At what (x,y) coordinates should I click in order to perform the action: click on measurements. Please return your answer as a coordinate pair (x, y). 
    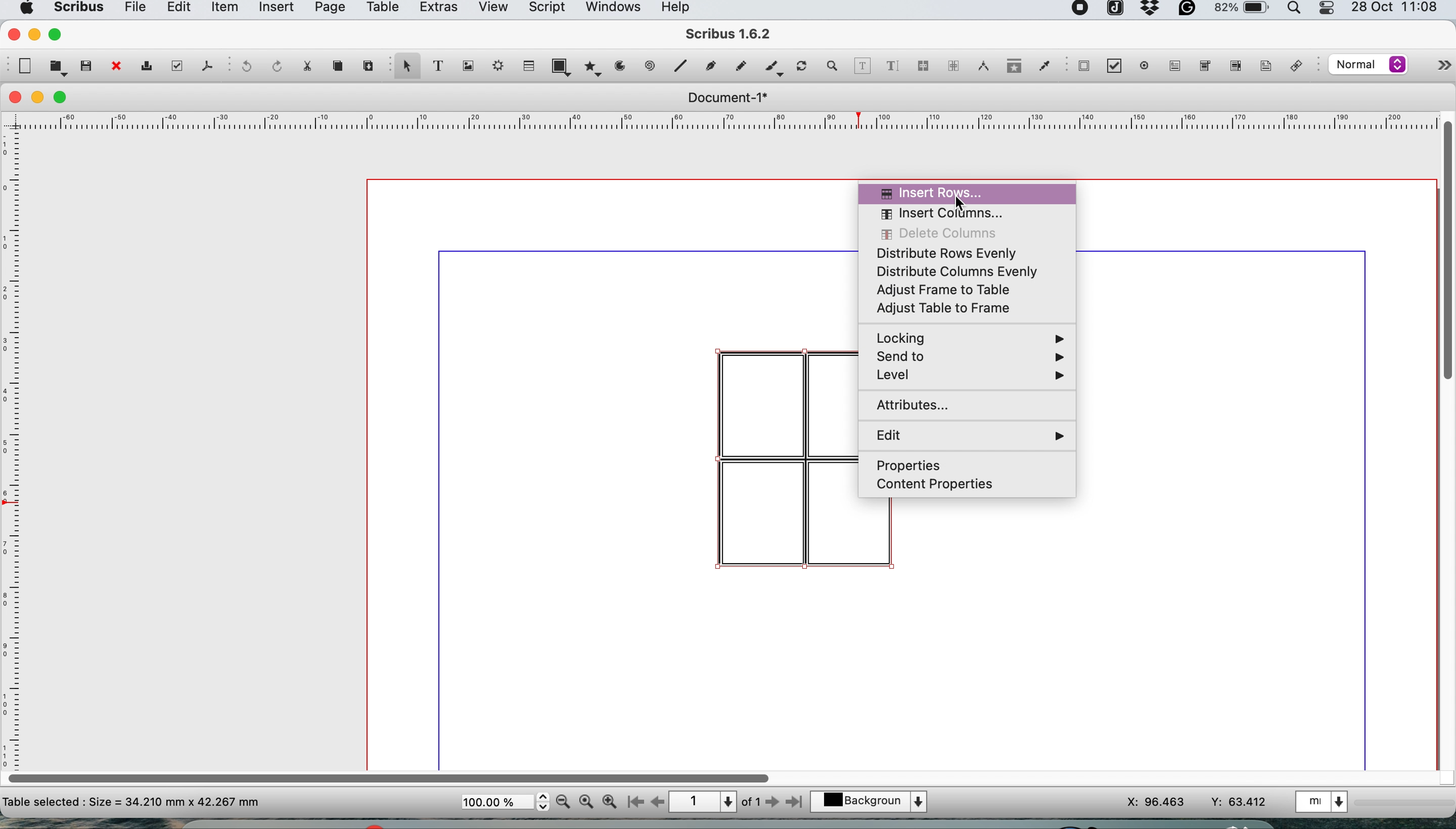
    Looking at the image, I should click on (980, 66).